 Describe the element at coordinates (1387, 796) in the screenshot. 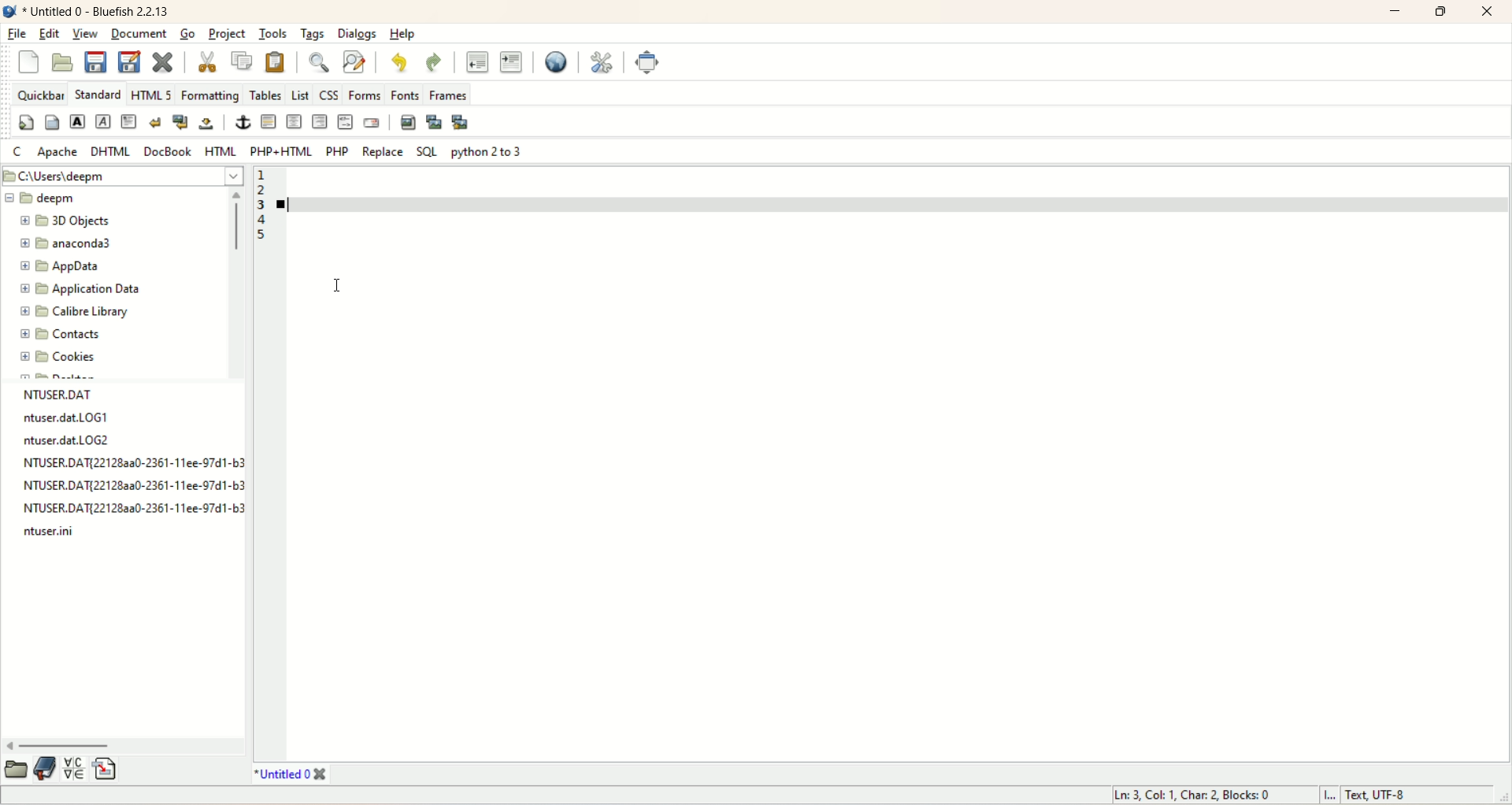

I see `text, UTF-8` at that location.